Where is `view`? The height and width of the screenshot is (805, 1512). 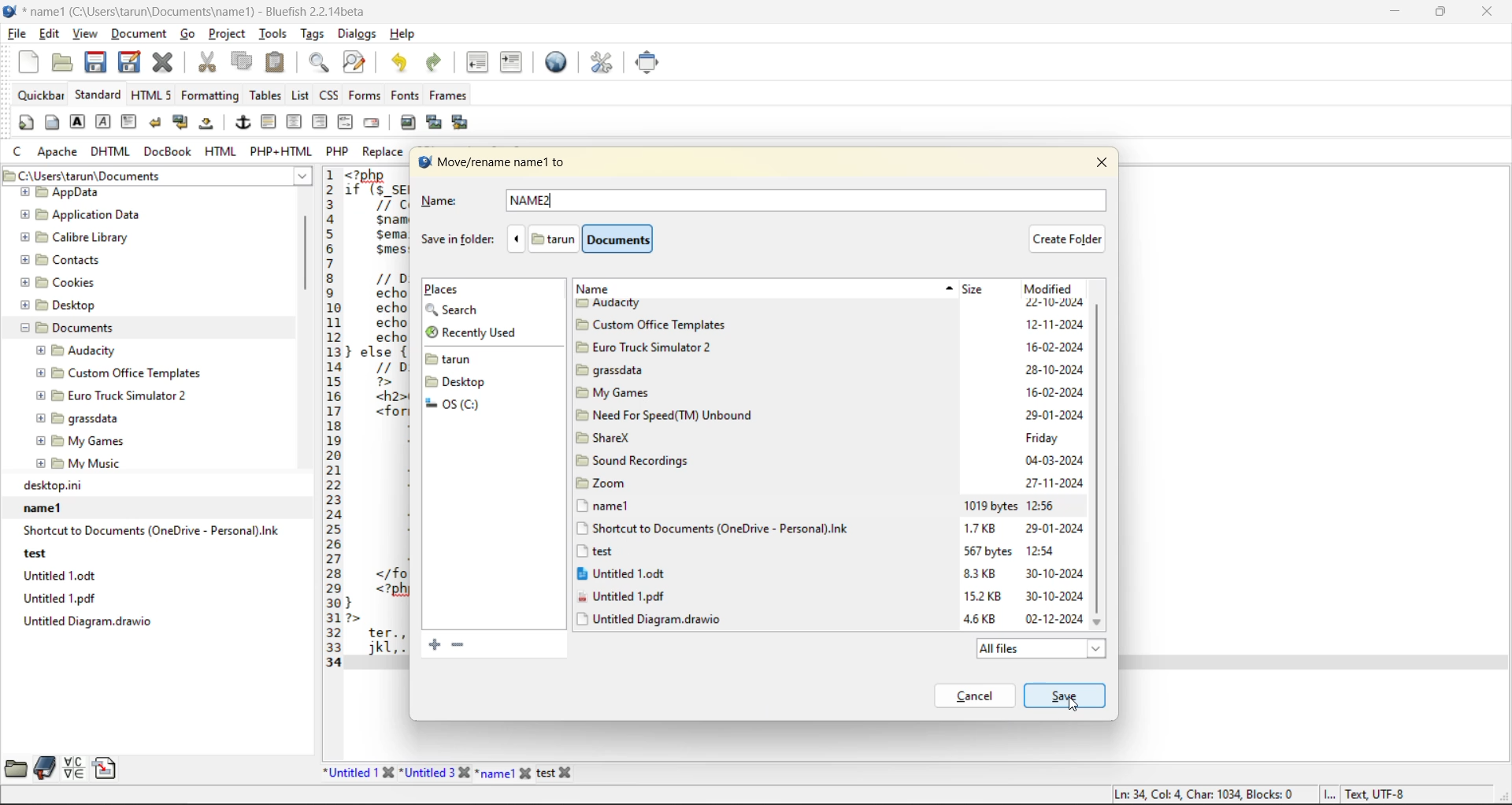 view is located at coordinates (87, 36).